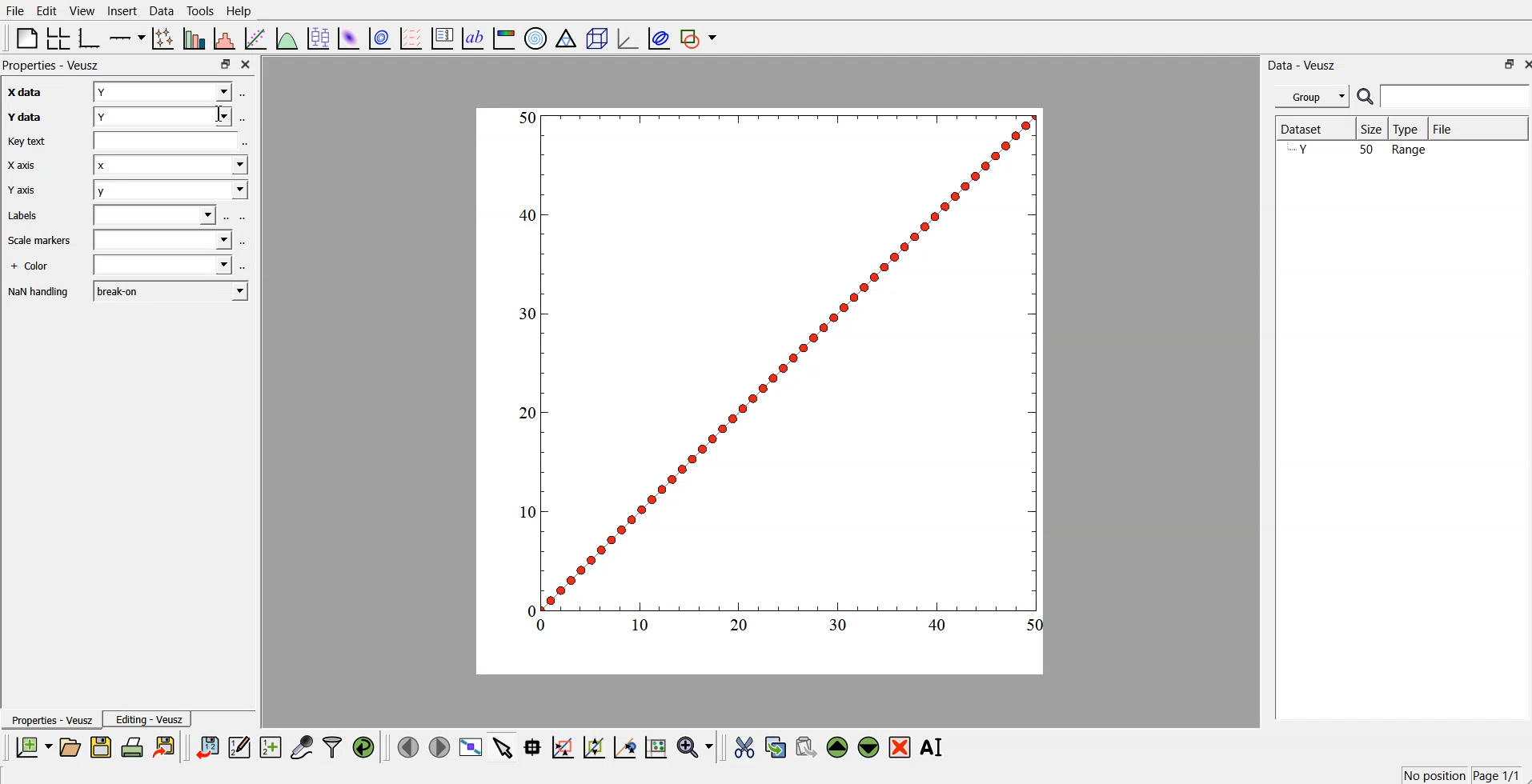 The image size is (1532, 784). Describe the element at coordinates (200, 11) in the screenshot. I see `Tools` at that location.